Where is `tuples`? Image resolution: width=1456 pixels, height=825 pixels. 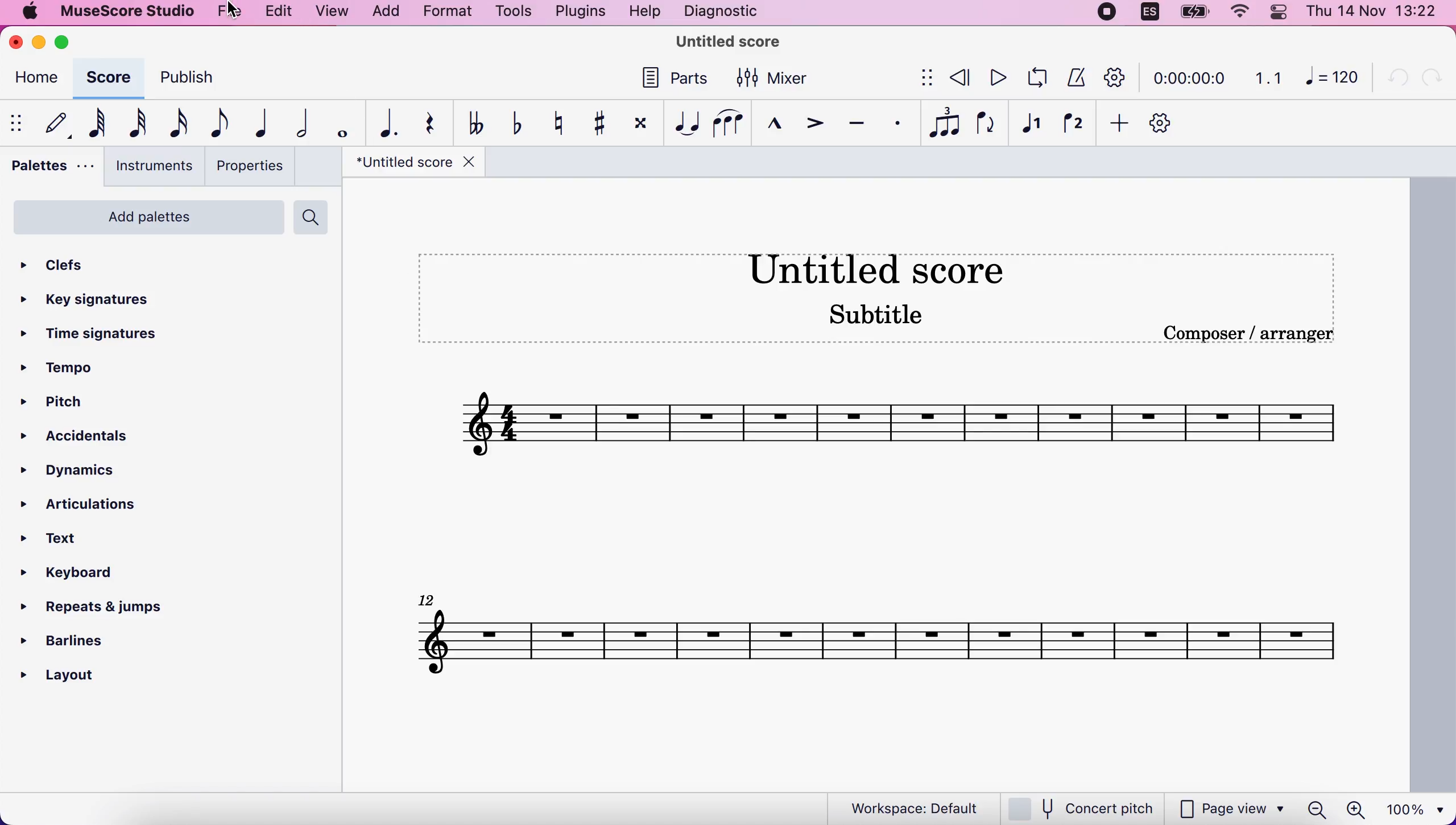 tuples is located at coordinates (941, 124).